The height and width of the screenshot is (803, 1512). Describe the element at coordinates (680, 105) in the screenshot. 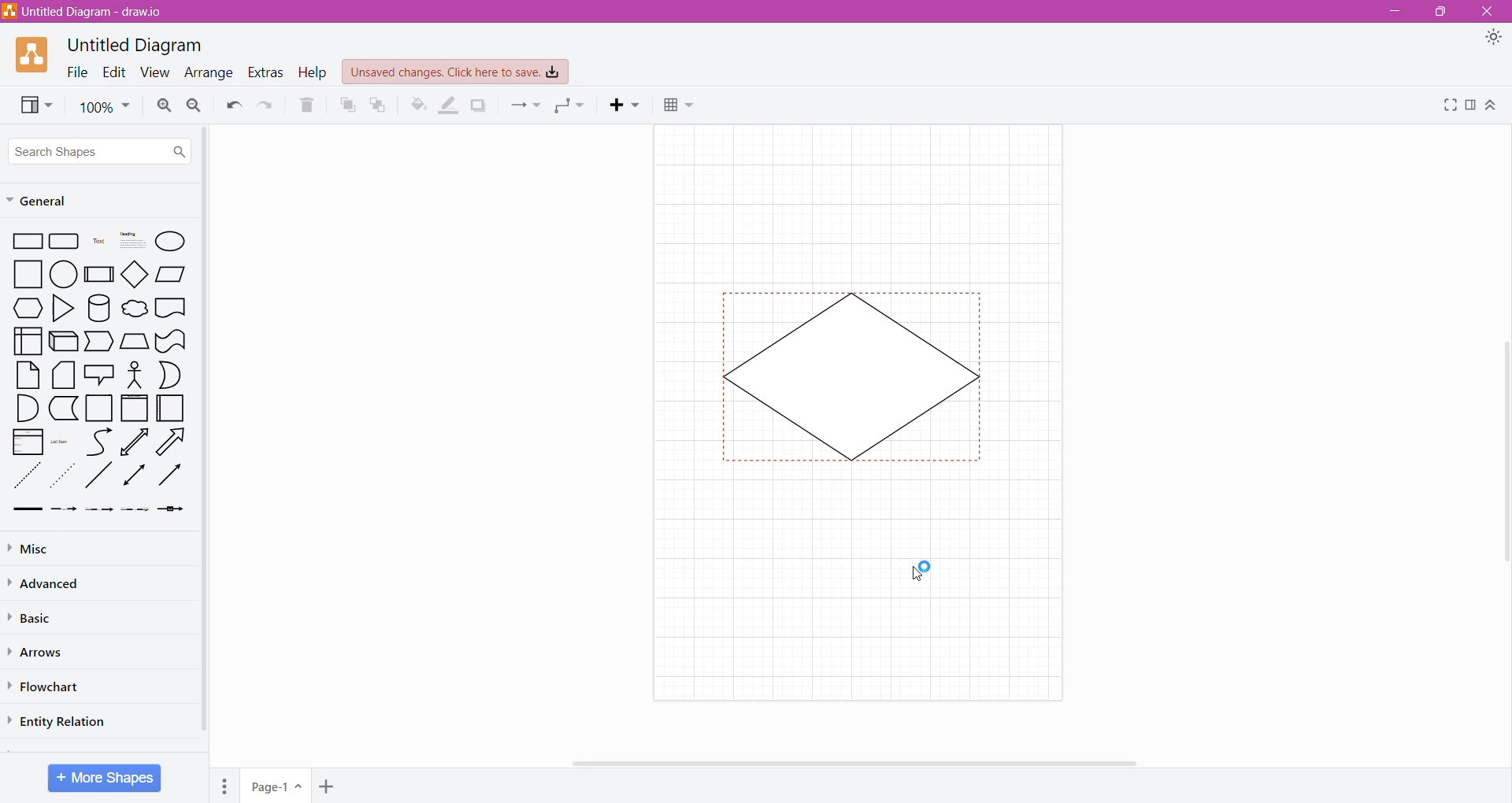

I see `Table` at that location.